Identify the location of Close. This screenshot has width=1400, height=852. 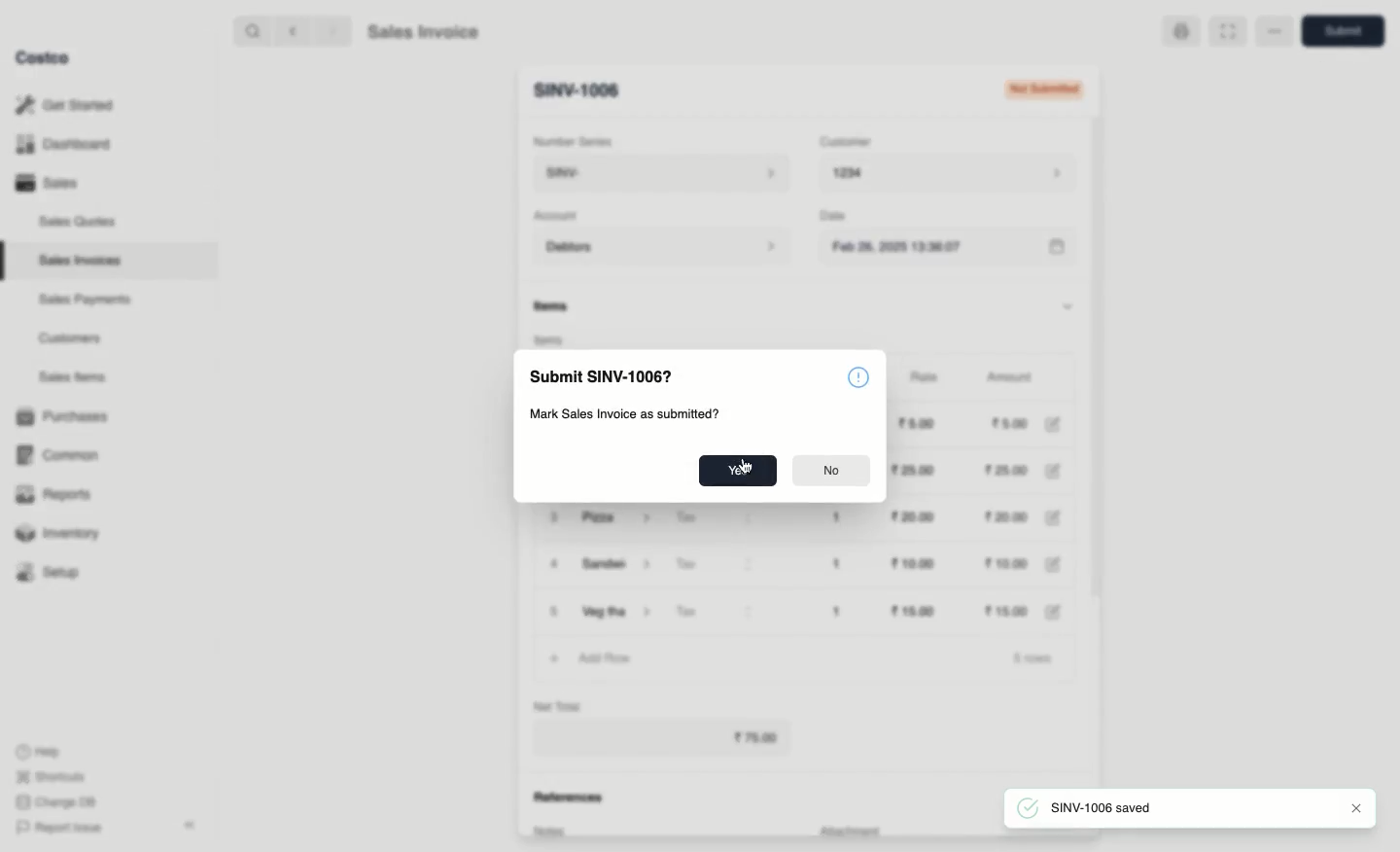
(1355, 808).